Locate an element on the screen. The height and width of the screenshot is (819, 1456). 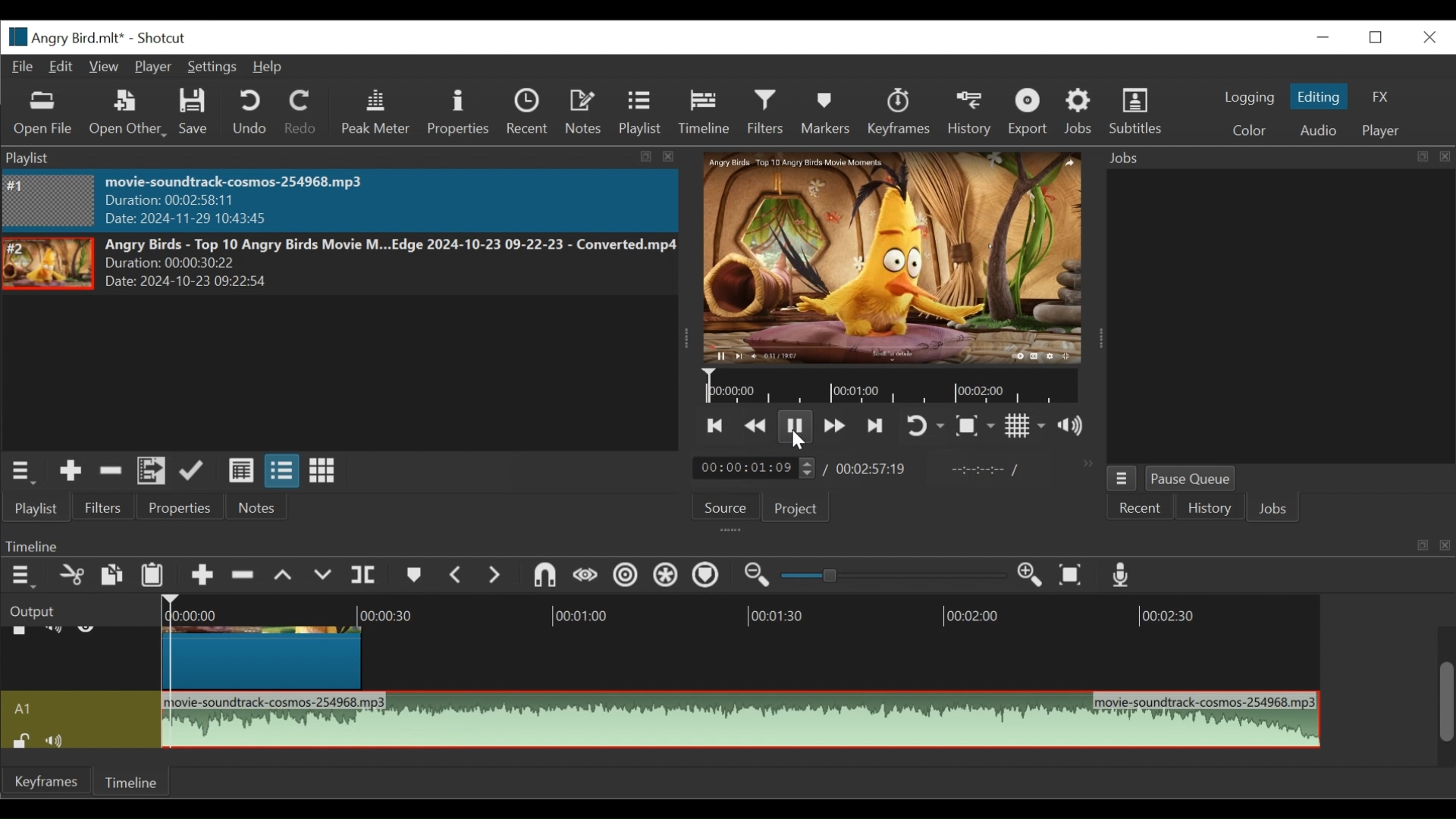
Open File is located at coordinates (40, 114).